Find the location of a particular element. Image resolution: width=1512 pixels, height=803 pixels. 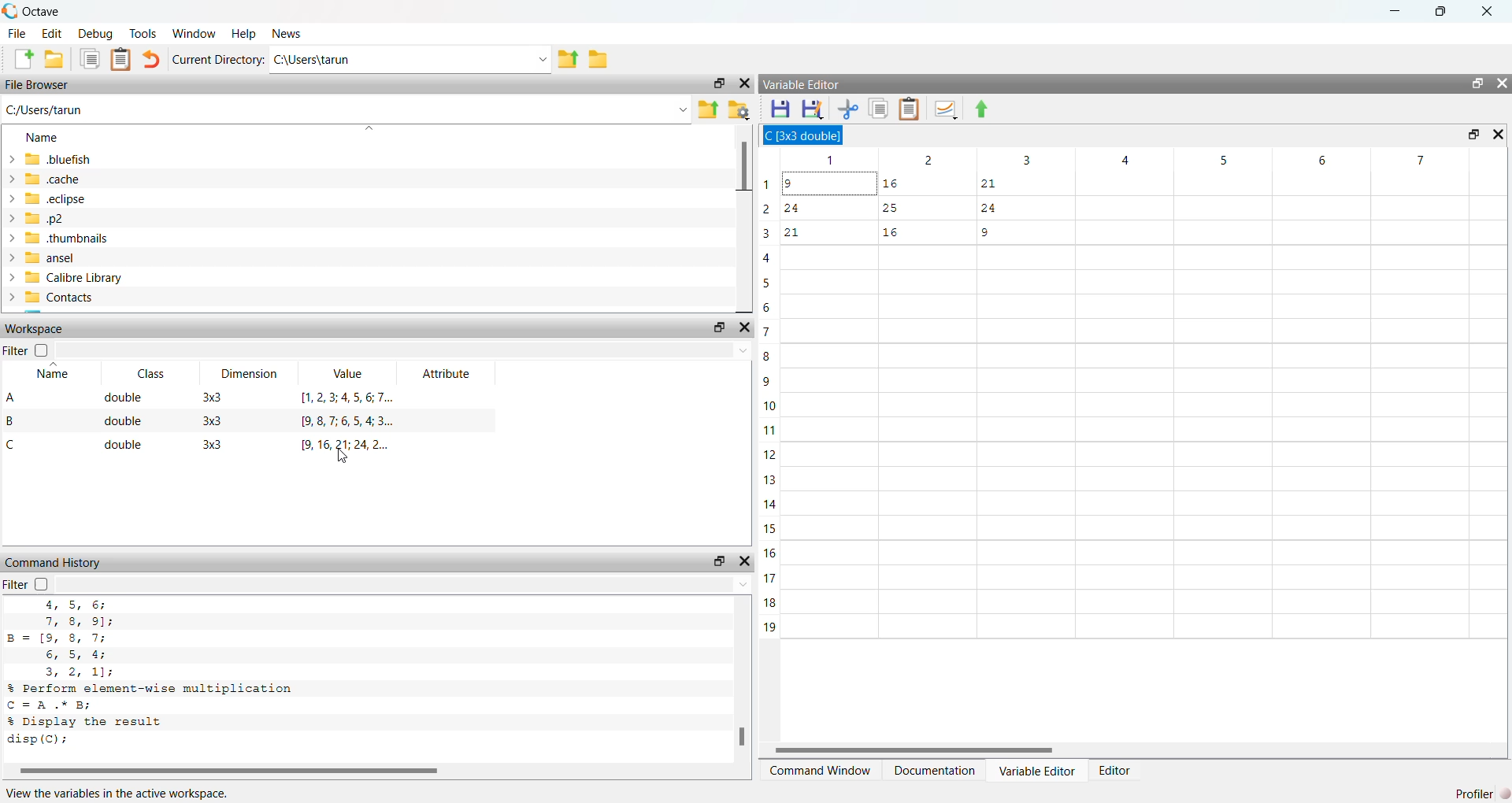

3, 2 ,1); is located at coordinates (83, 672).